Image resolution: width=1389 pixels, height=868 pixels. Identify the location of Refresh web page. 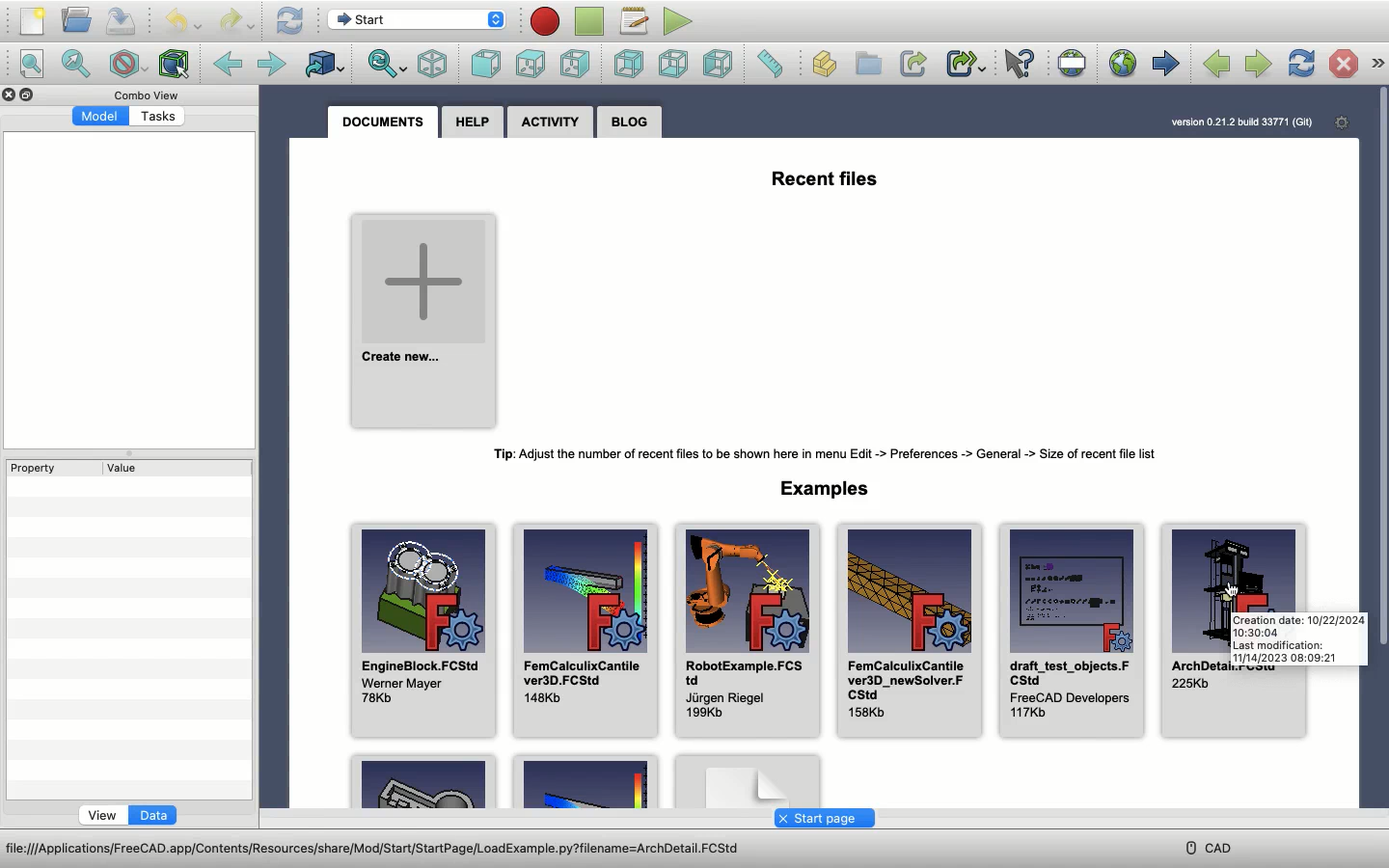
(1299, 64).